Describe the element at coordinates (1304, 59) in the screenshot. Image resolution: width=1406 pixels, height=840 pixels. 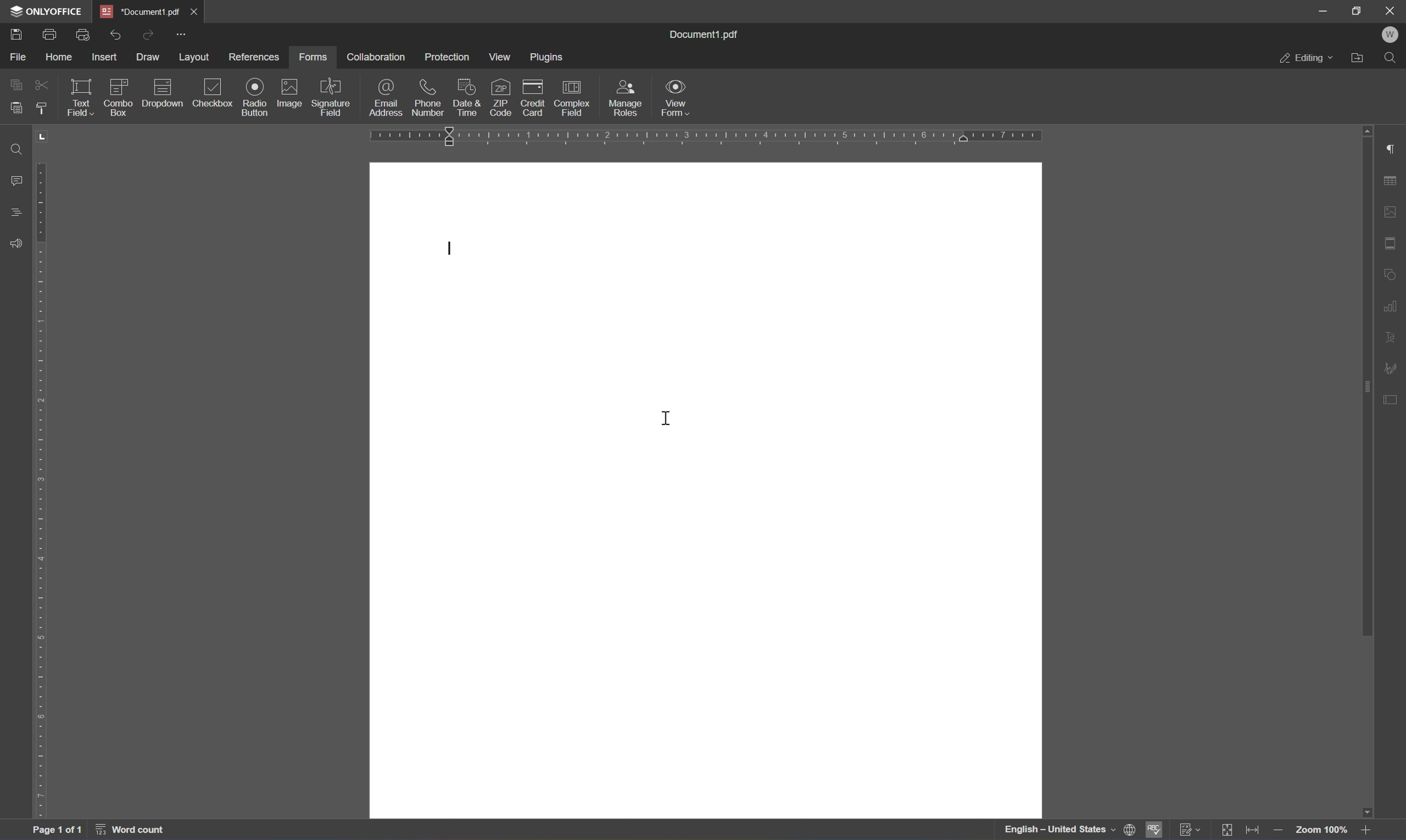
I see `editing` at that location.